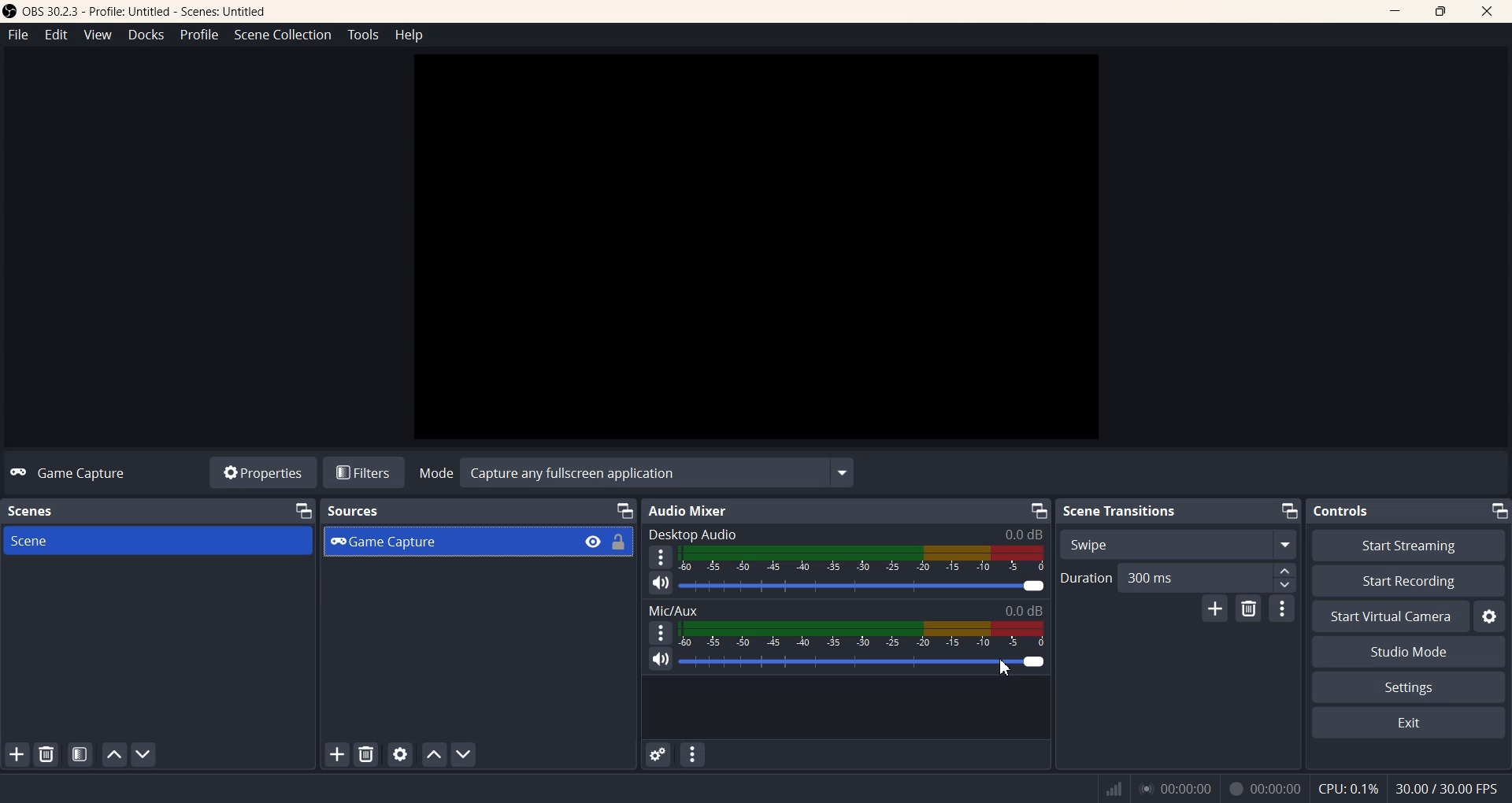  Describe the element at coordinates (1281, 608) in the screenshot. I see `Transition properties` at that location.